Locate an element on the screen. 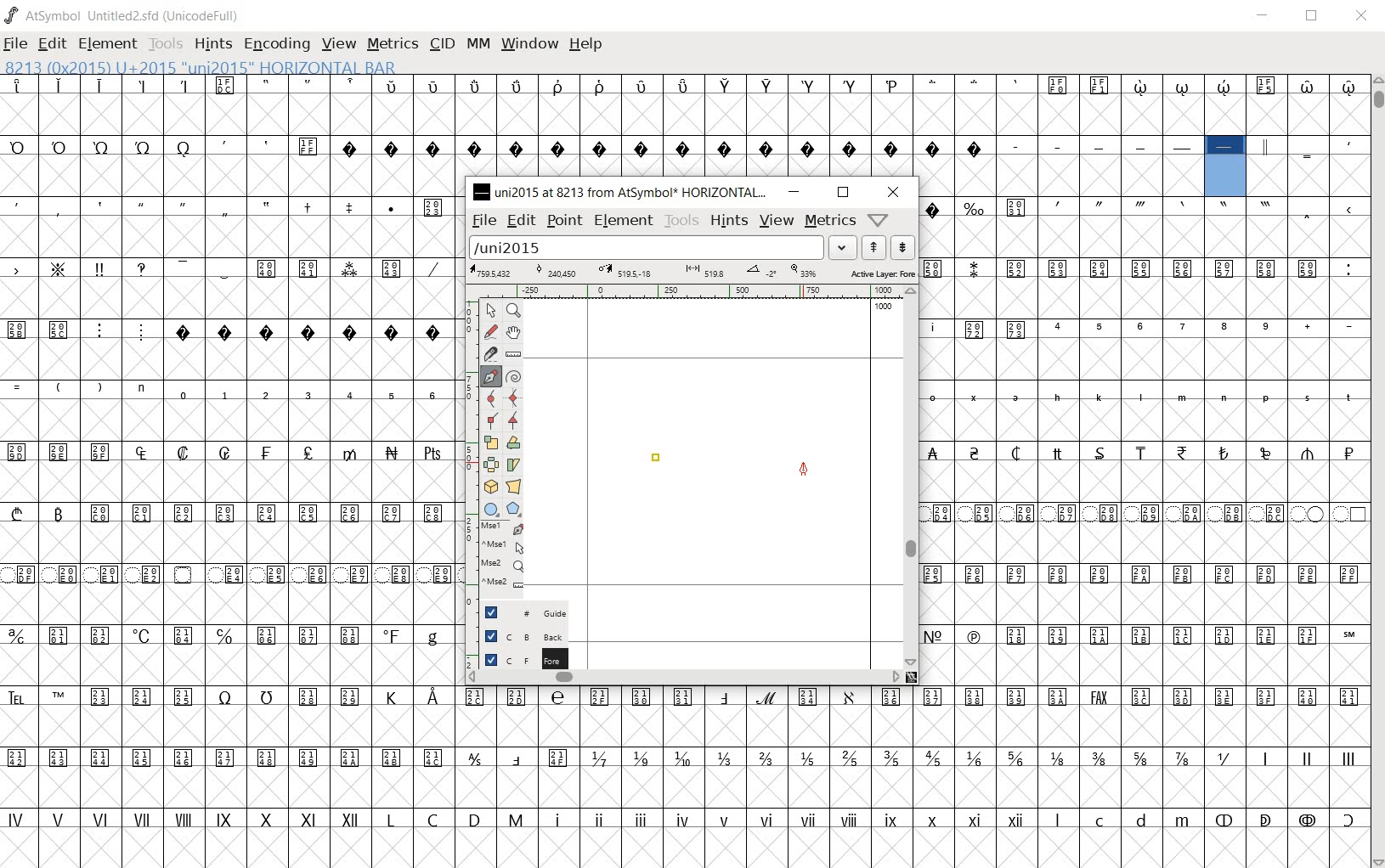 This screenshot has width=1385, height=868. scrollbar is located at coordinates (914, 478).